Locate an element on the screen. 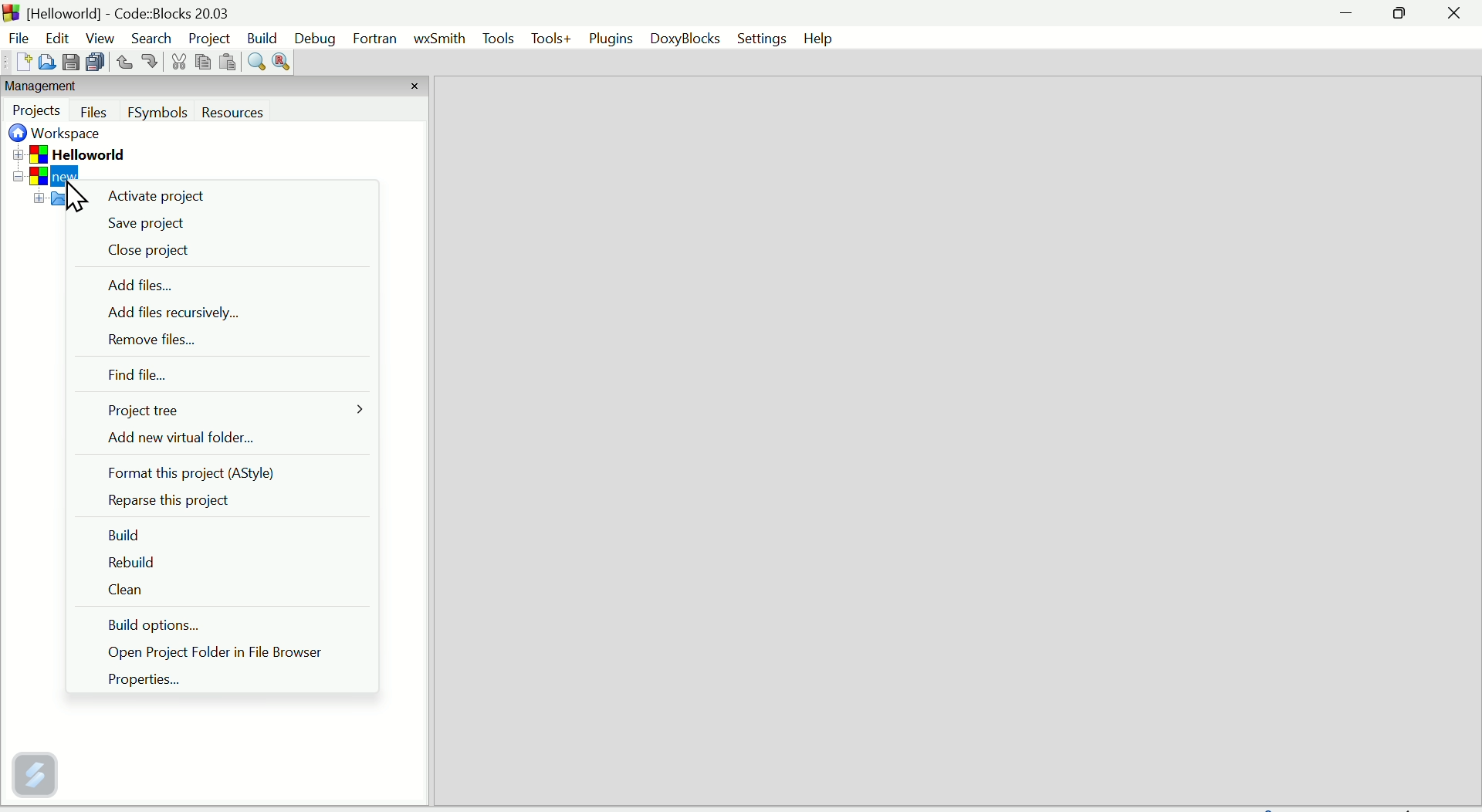  Project 3 is located at coordinates (137, 410).